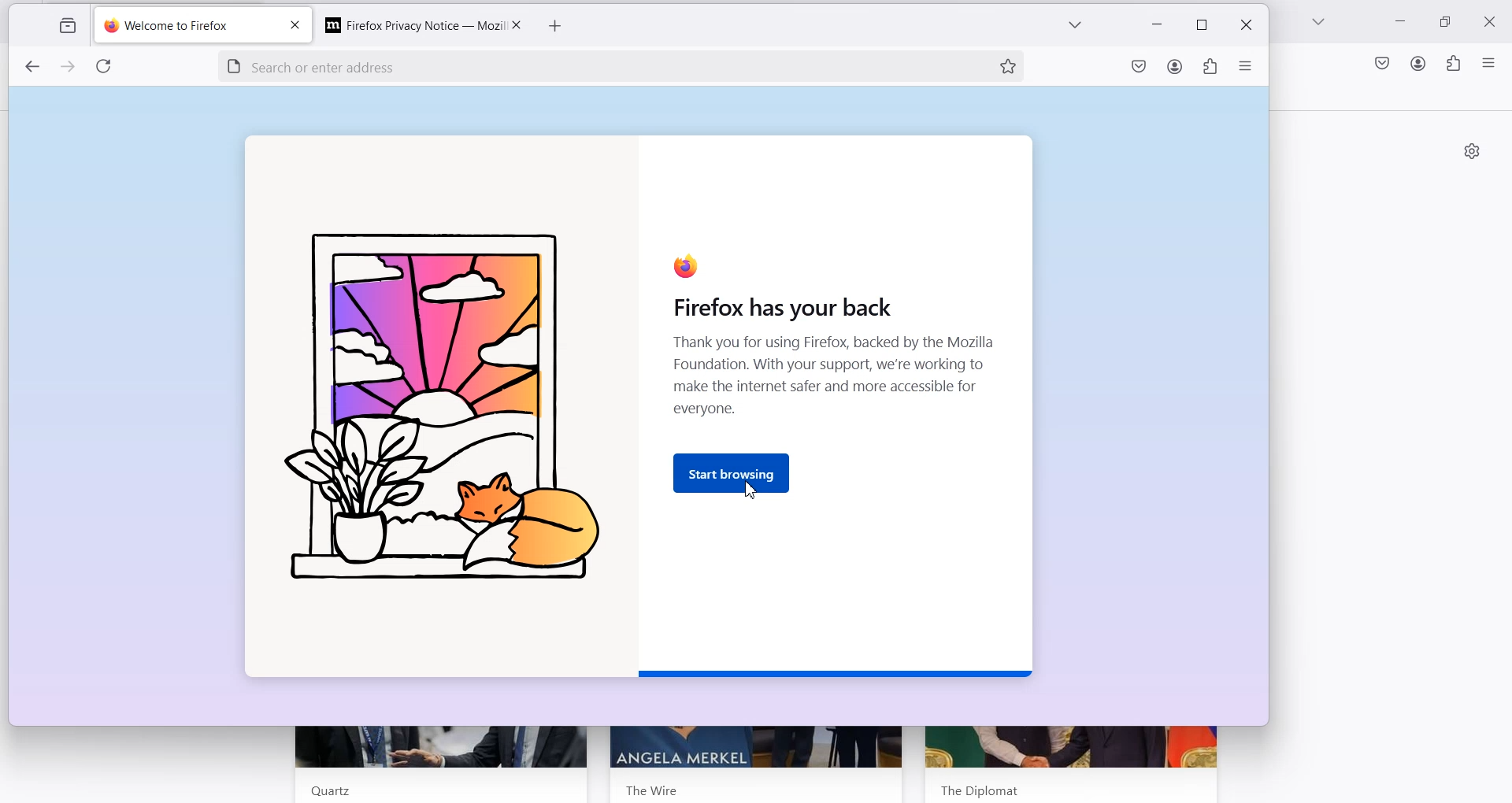 The image size is (1512, 803). What do you see at coordinates (1175, 68) in the screenshot?
I see `account` at bounding box center [1175, 68].